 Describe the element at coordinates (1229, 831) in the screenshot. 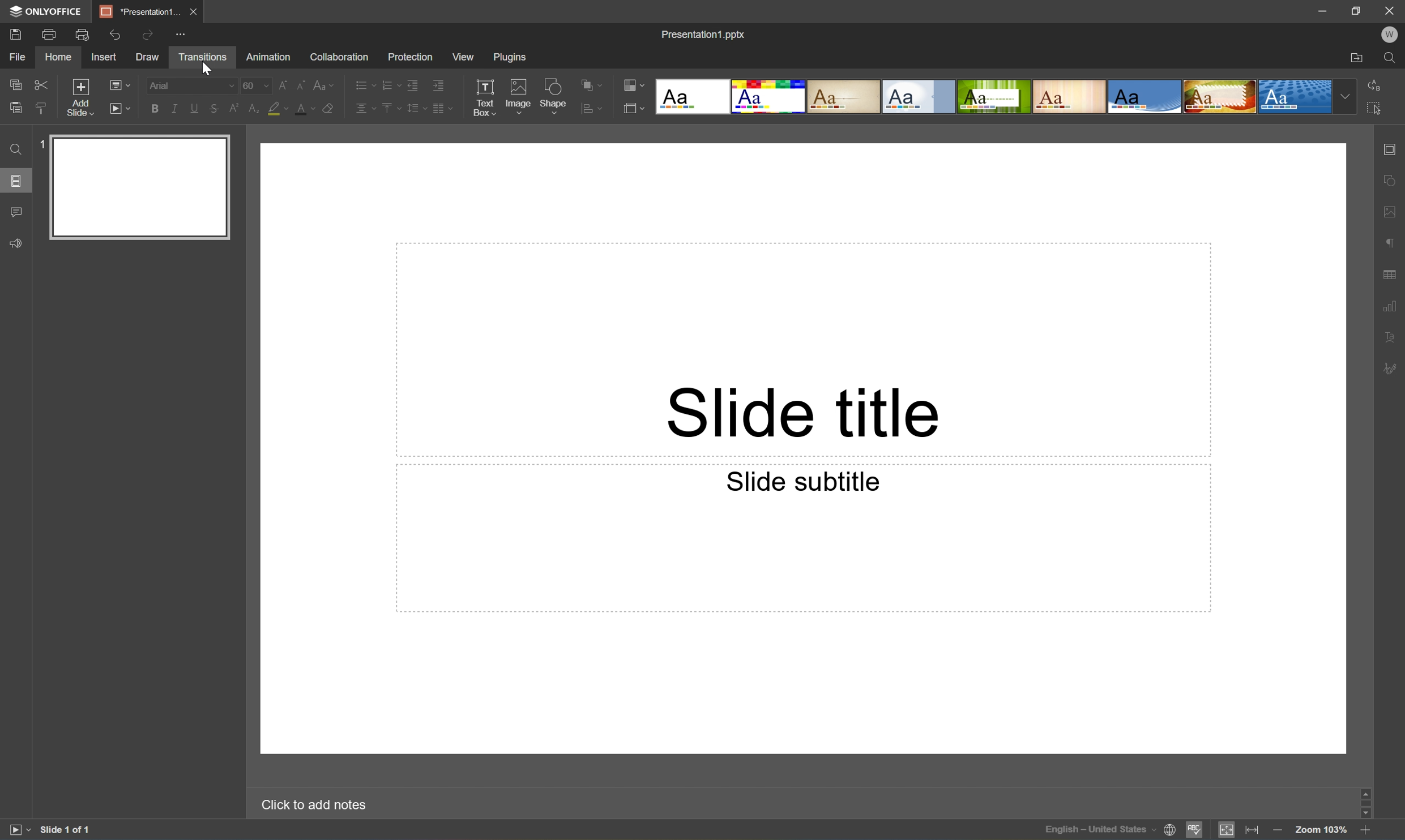

I see `Fit to slide` at that location.